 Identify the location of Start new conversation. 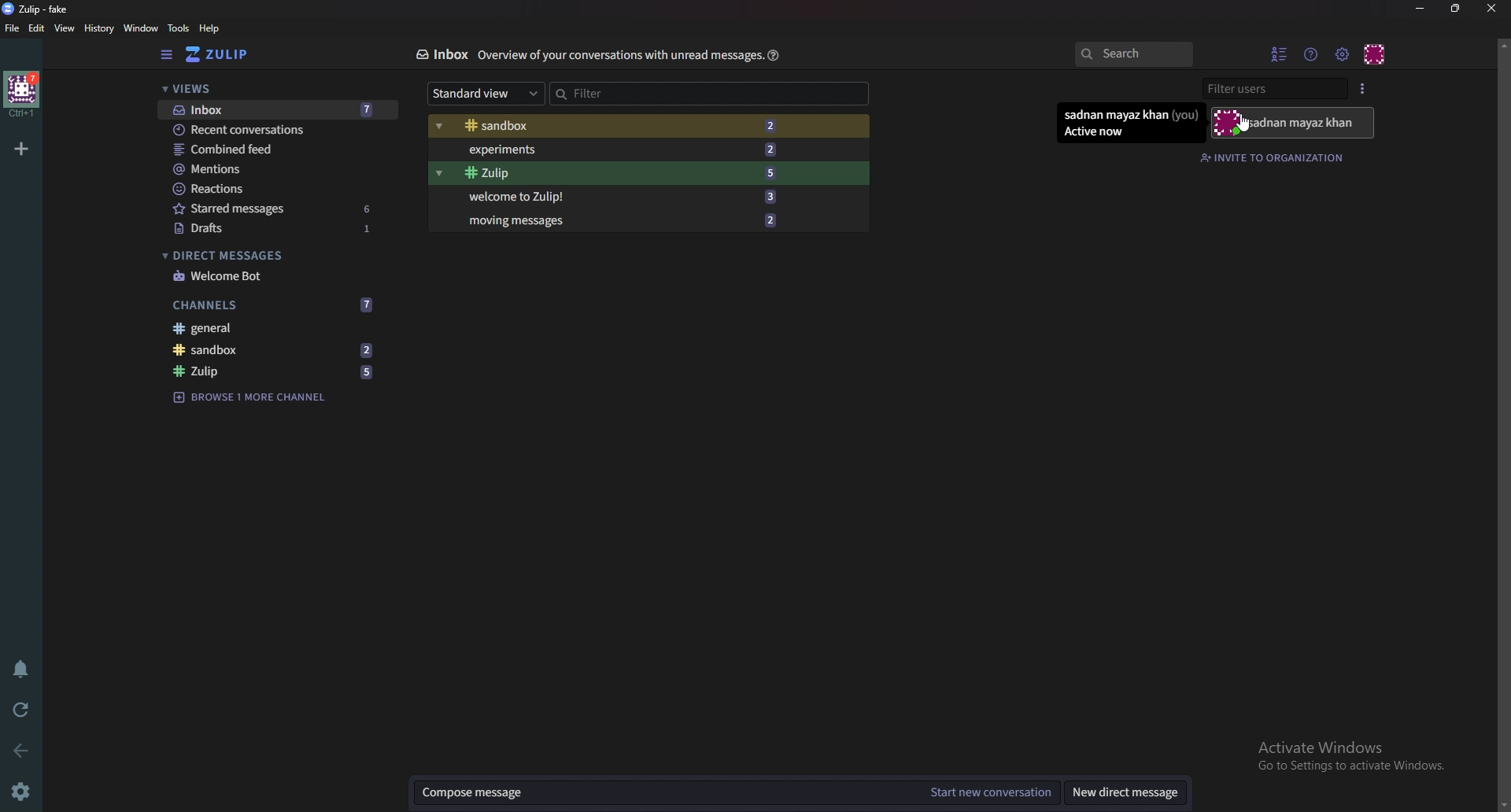
(988, 793).